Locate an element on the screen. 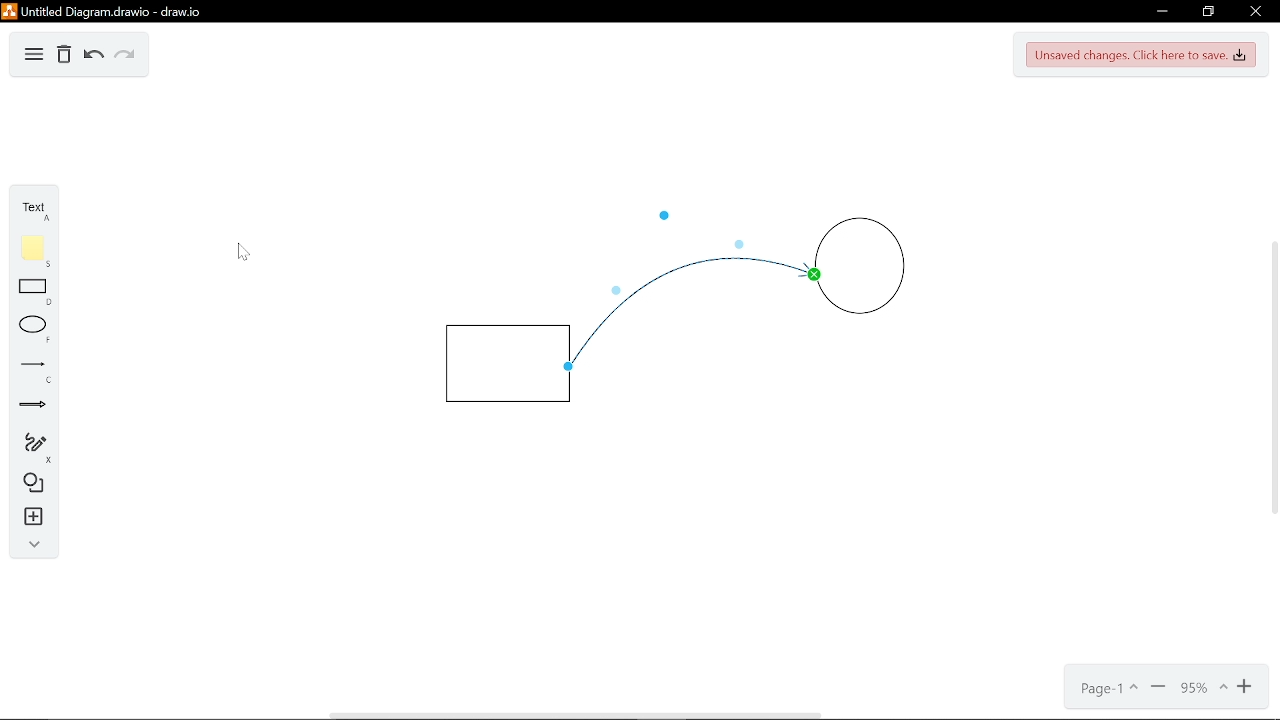  Collapse is located at coordinates (30, 544).